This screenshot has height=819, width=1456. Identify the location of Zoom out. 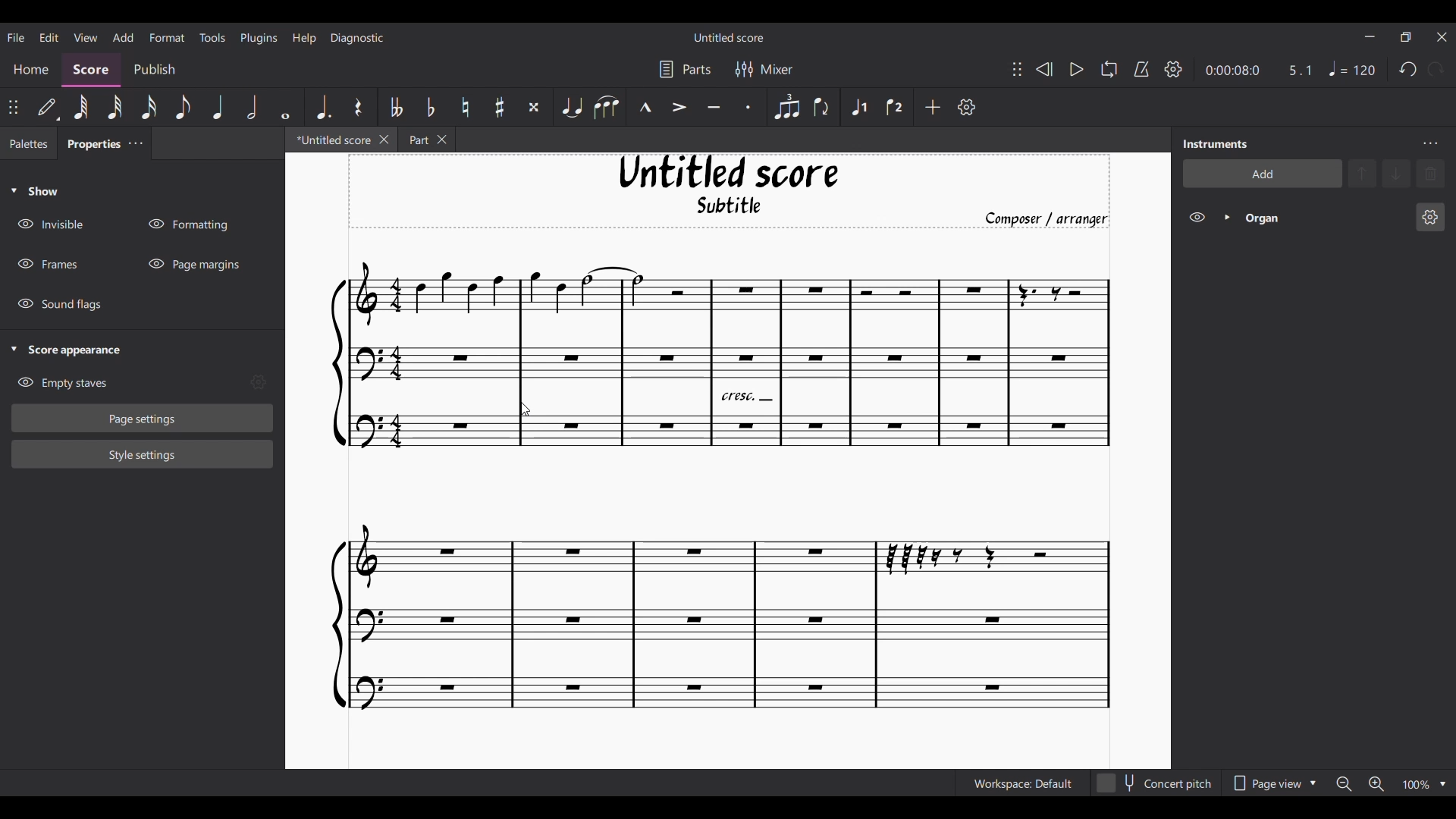
(1344, 784).